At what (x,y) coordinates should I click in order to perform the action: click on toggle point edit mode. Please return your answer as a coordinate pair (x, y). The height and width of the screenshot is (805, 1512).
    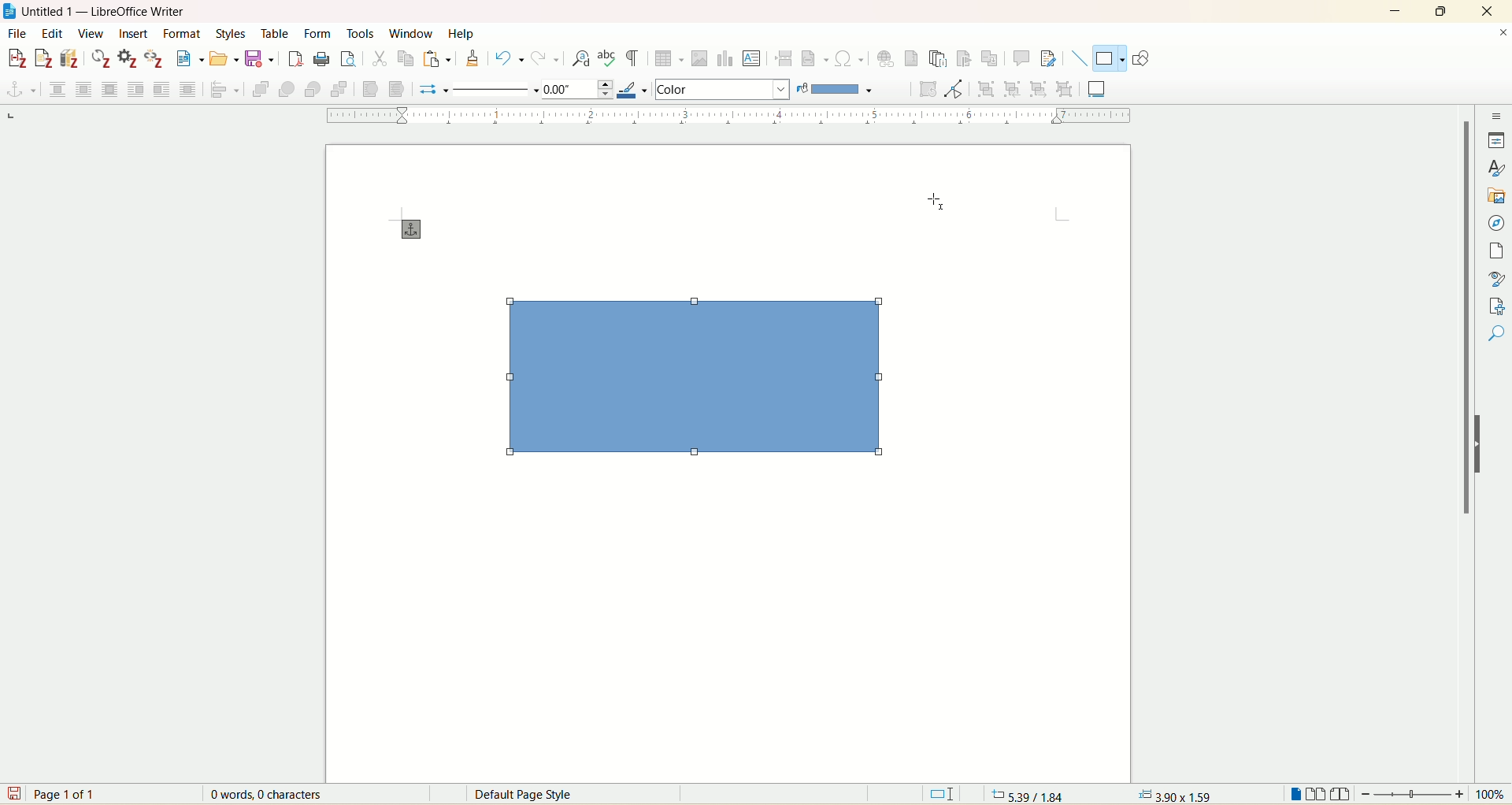
    Looking at the image, I should click on (957, 91).